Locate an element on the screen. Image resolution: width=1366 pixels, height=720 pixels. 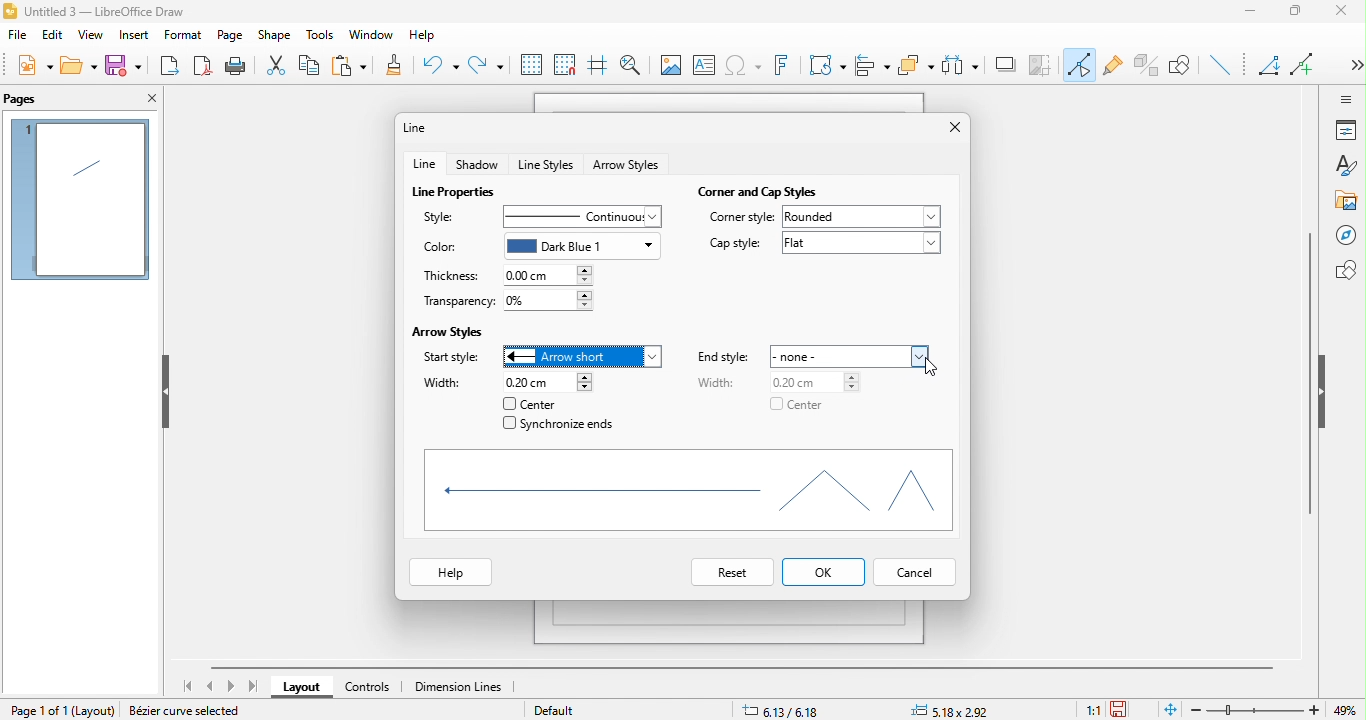
styles is located at coordinates (1345, 167).